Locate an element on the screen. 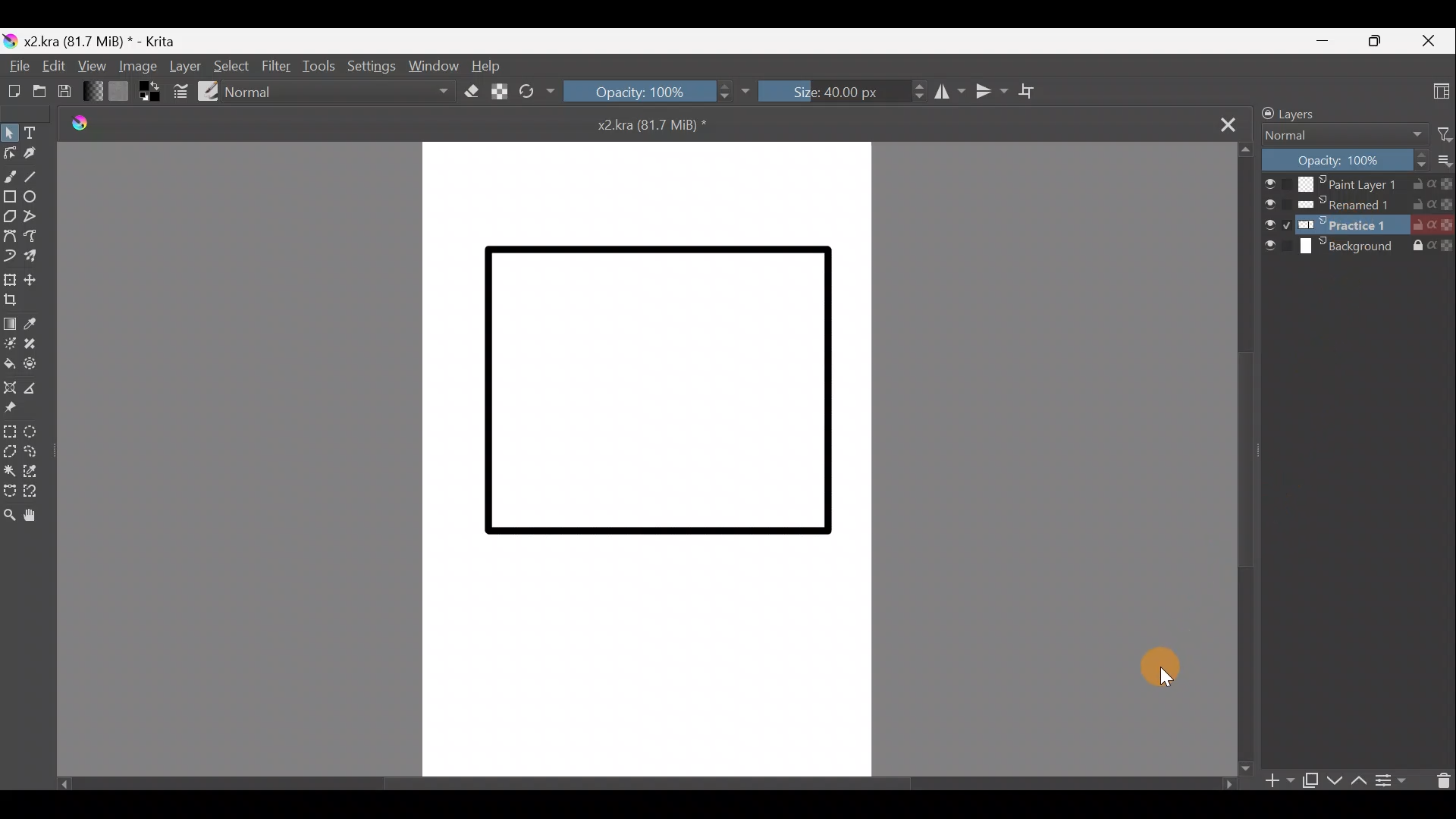  Set eraser mode is located at coordinates (472, 90).